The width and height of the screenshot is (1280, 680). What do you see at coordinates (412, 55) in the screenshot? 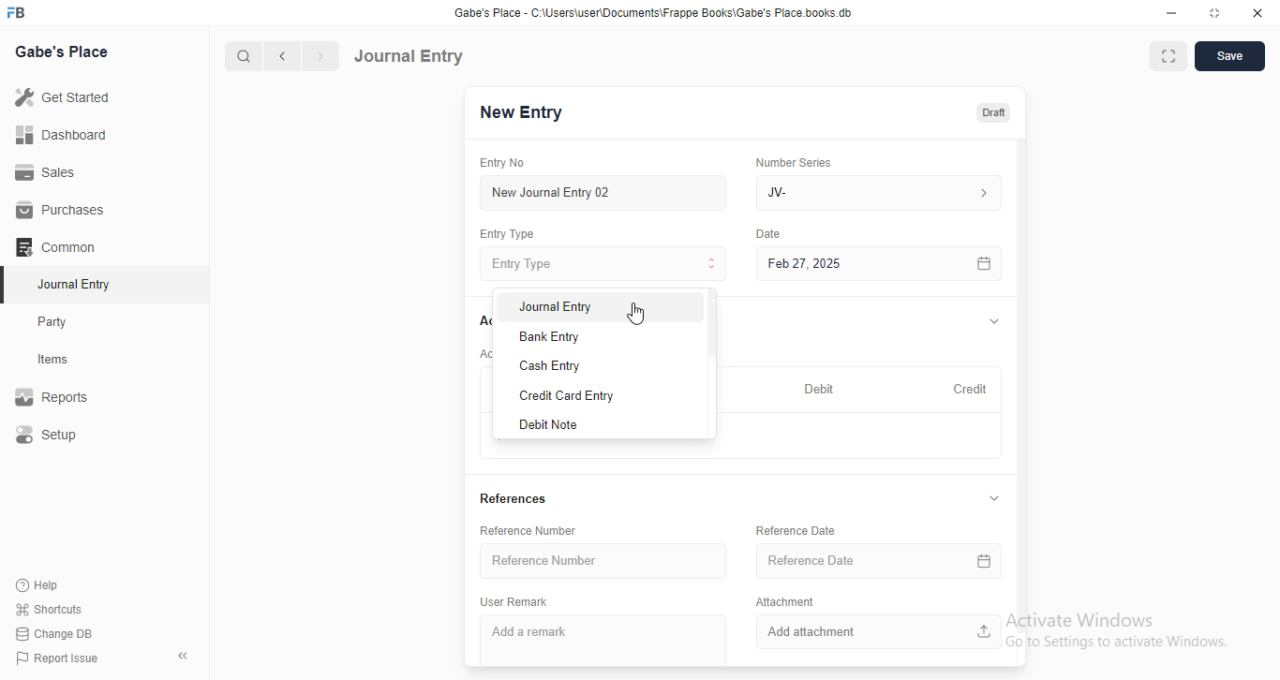
I see `Journal Entry` at bounding box center [412, 55].